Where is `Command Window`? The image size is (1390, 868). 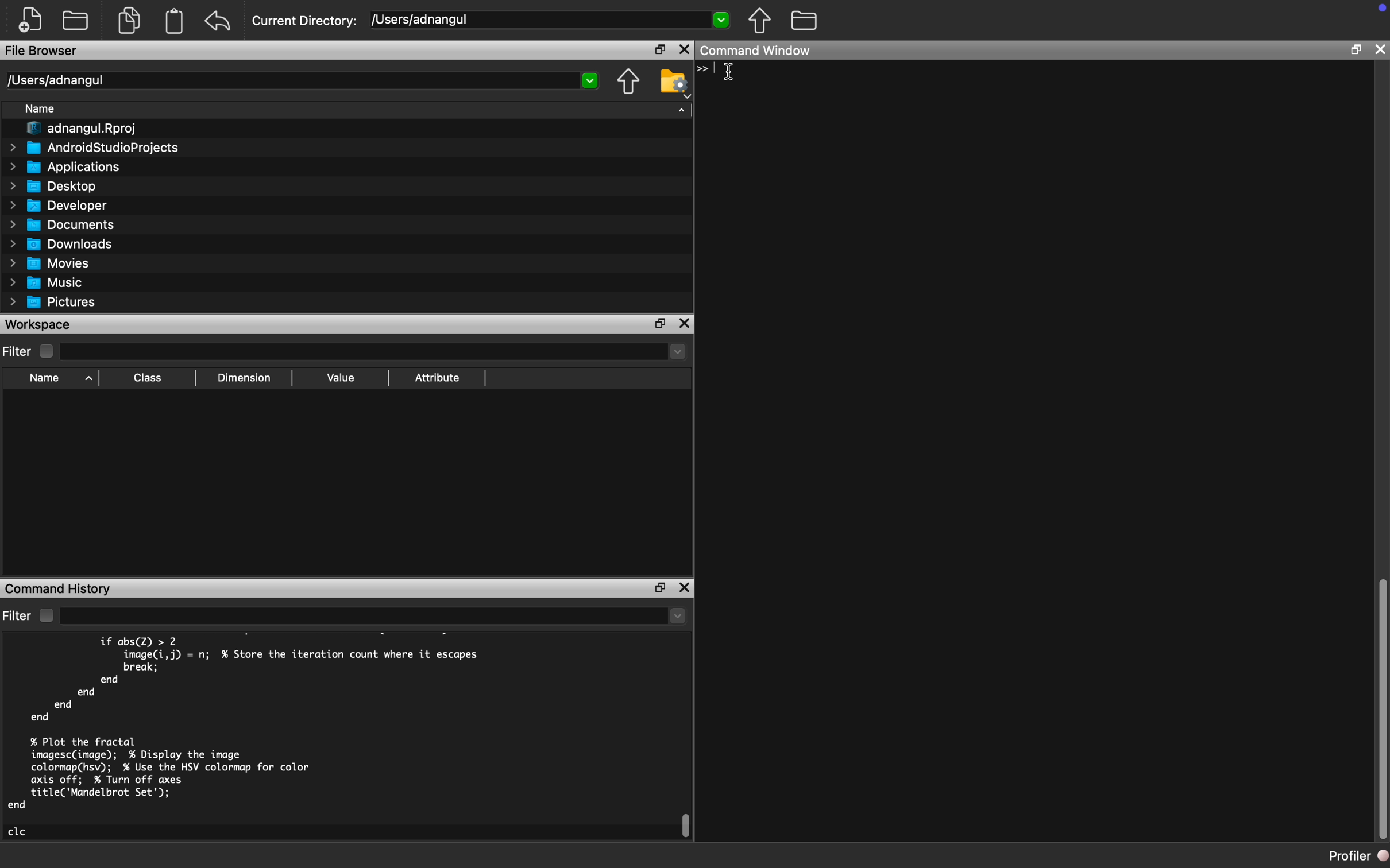
Command Window is located at coordinates (758, 51).